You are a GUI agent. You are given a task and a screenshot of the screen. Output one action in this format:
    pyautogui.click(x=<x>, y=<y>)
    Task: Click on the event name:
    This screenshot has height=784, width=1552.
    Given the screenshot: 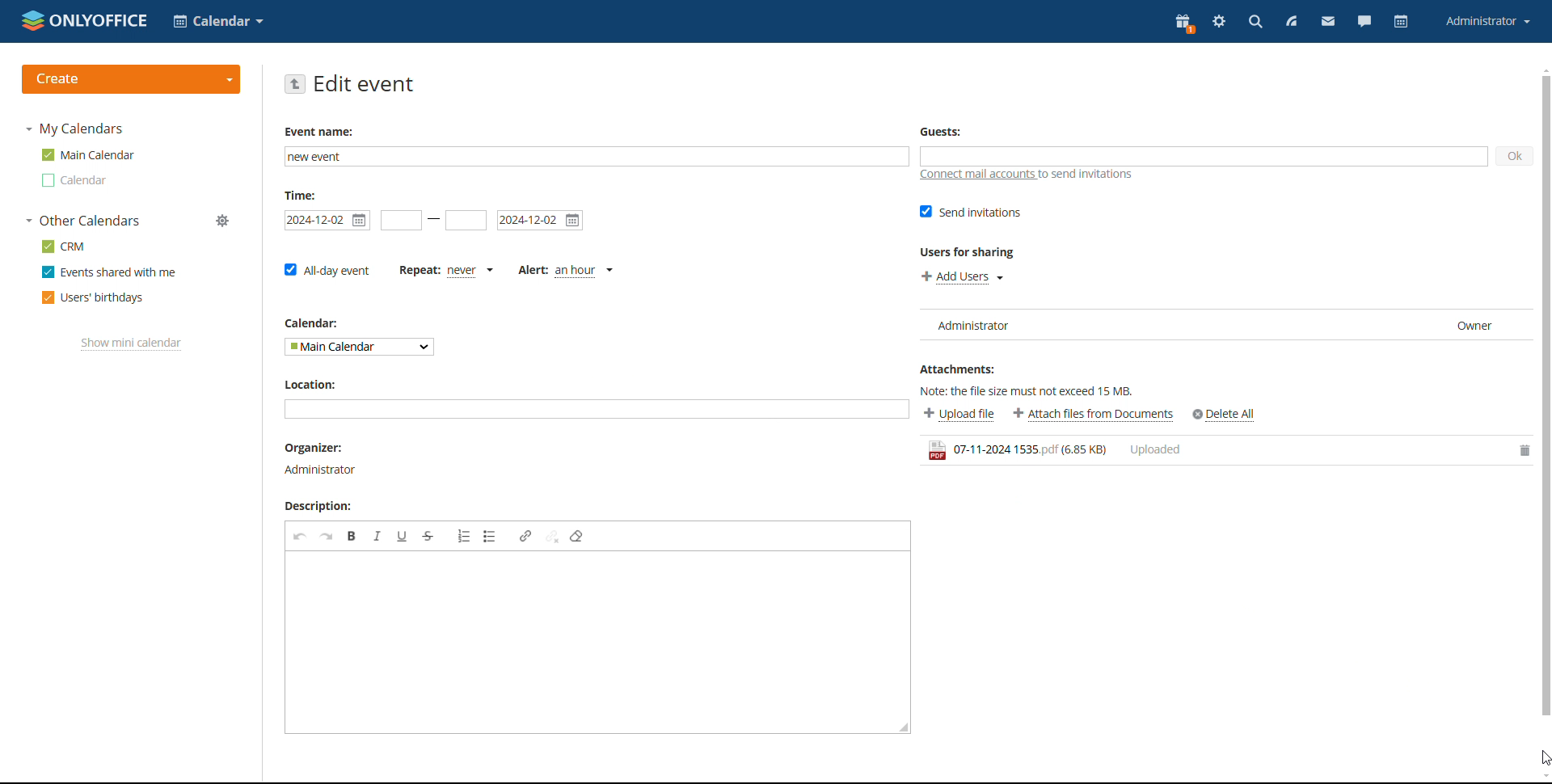 What is the action you would take?
    pyautogui.click(x=319, y=131)
    